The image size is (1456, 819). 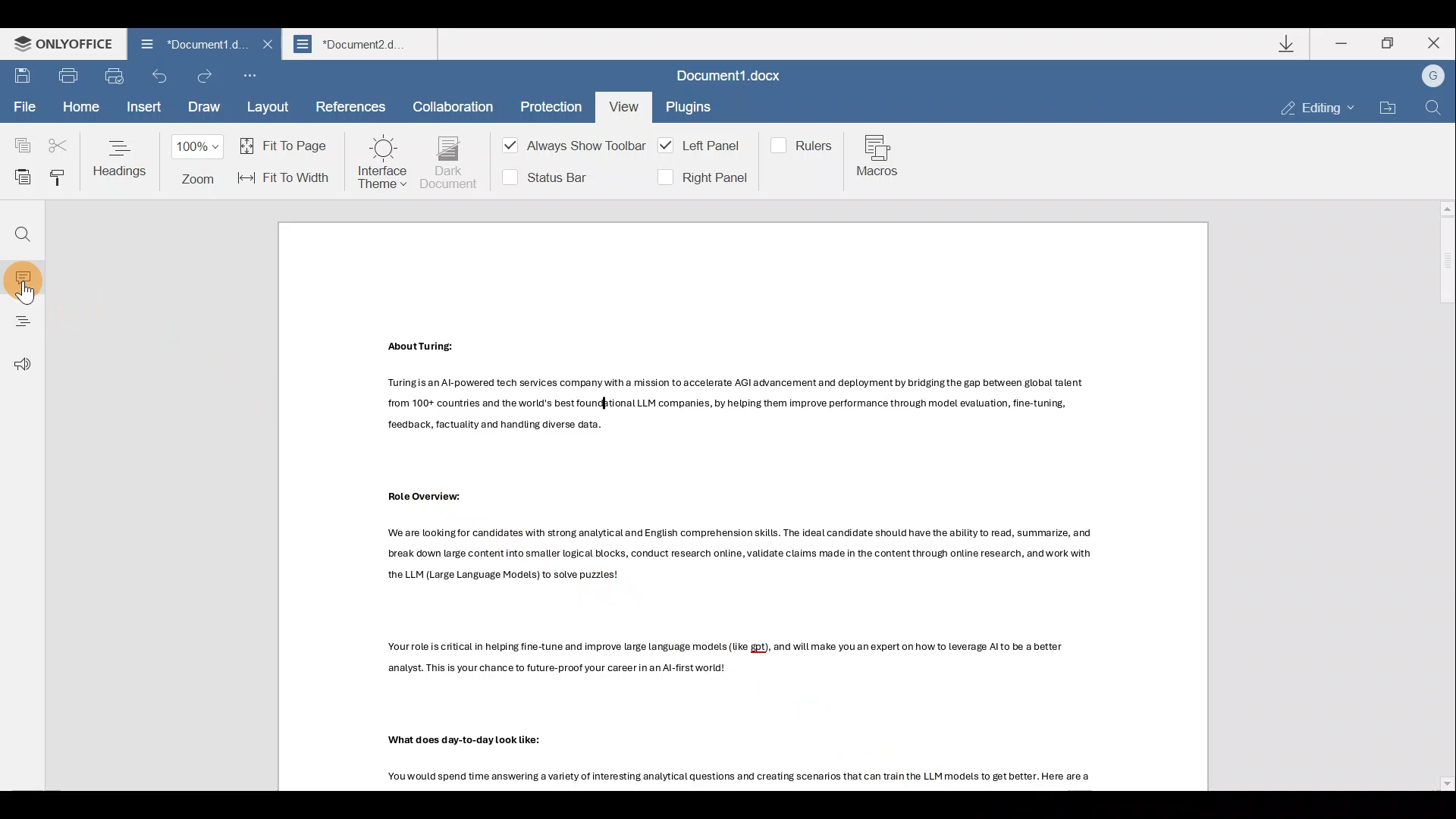 What do you see at coordinates (59, 140) in the screenshot?
I see `Cut` at bounding box center [59, 140].